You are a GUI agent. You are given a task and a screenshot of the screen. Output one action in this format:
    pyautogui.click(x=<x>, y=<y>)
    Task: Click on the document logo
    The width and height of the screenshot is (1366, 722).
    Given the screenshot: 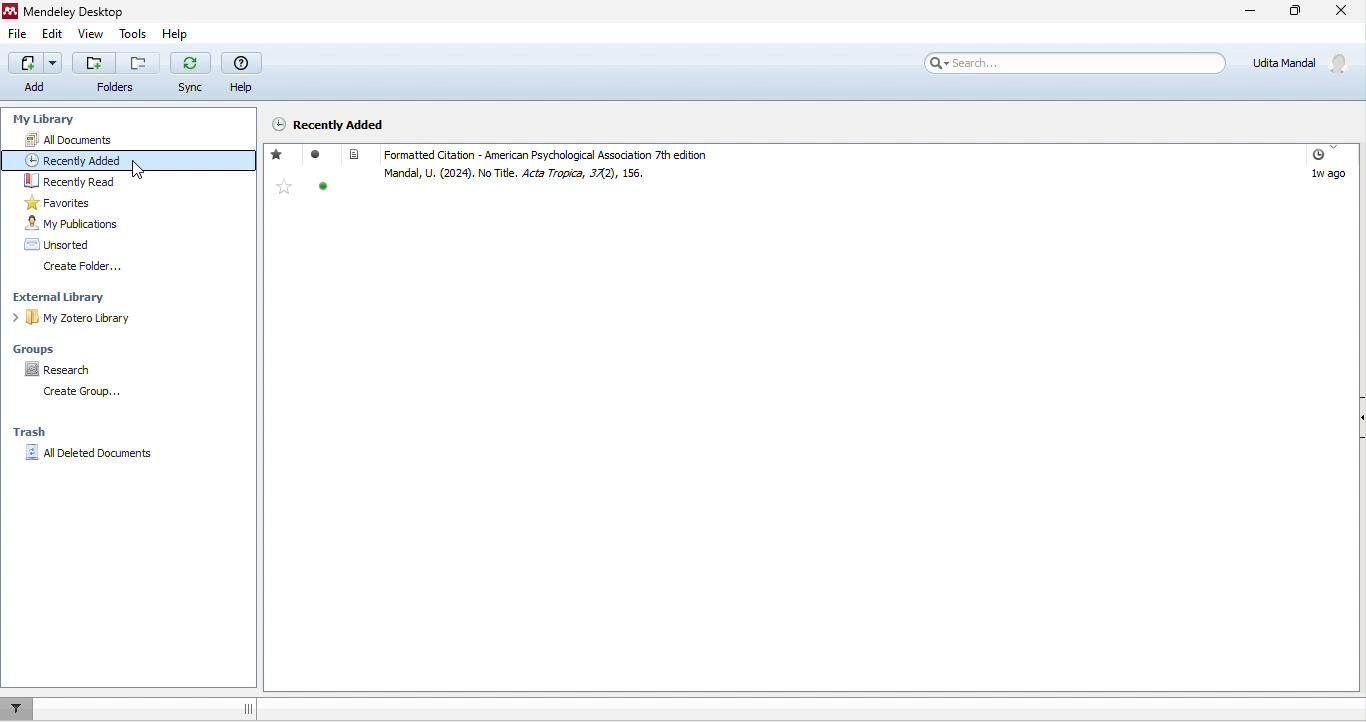 What is the action you would take?
    pyautogui.click(x=355, y=154)
    